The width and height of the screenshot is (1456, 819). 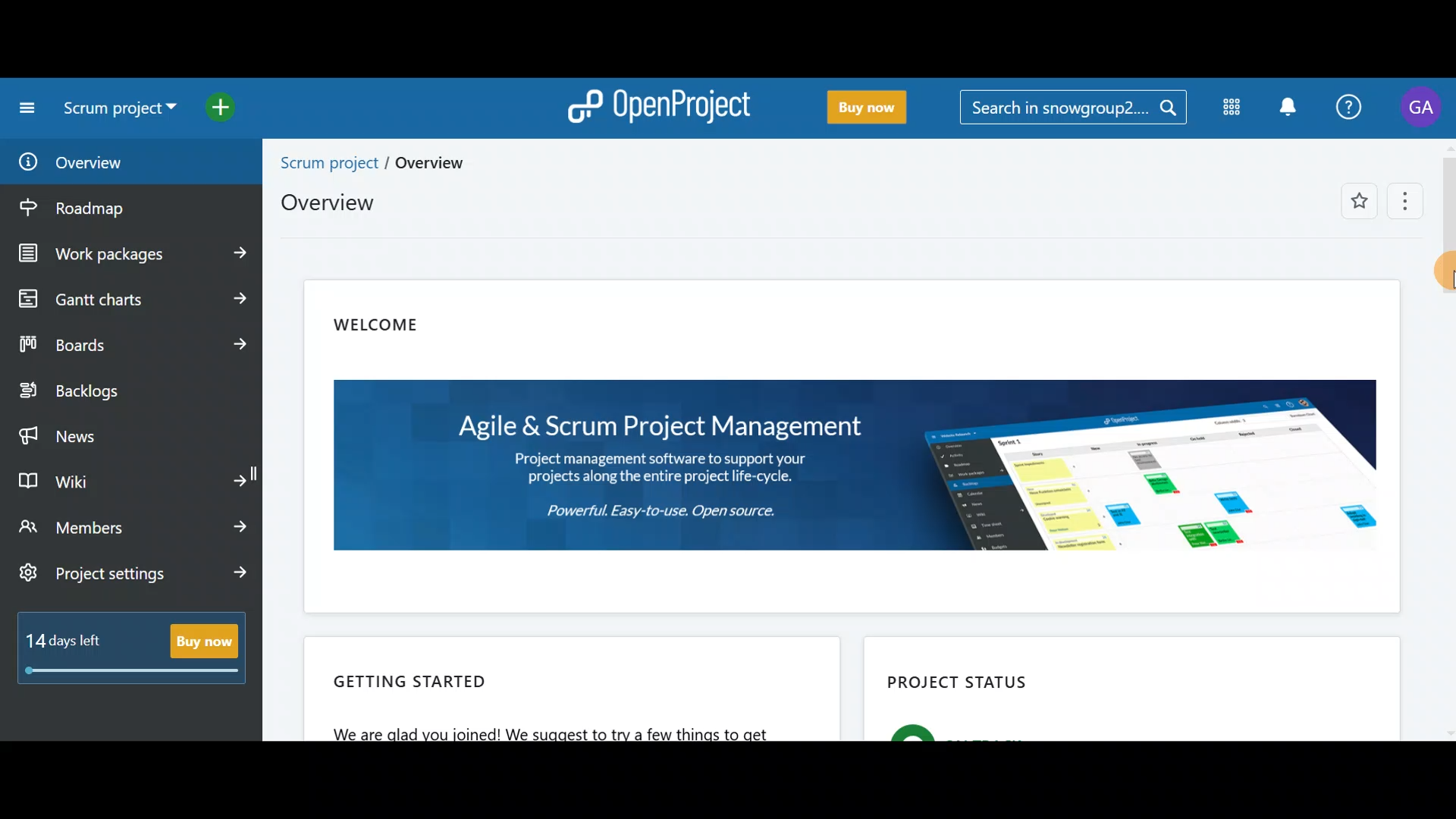 What do you see at coordinates (135, 576) in the screenshot?
I see `Project settings` at bounding box center [135, 576].